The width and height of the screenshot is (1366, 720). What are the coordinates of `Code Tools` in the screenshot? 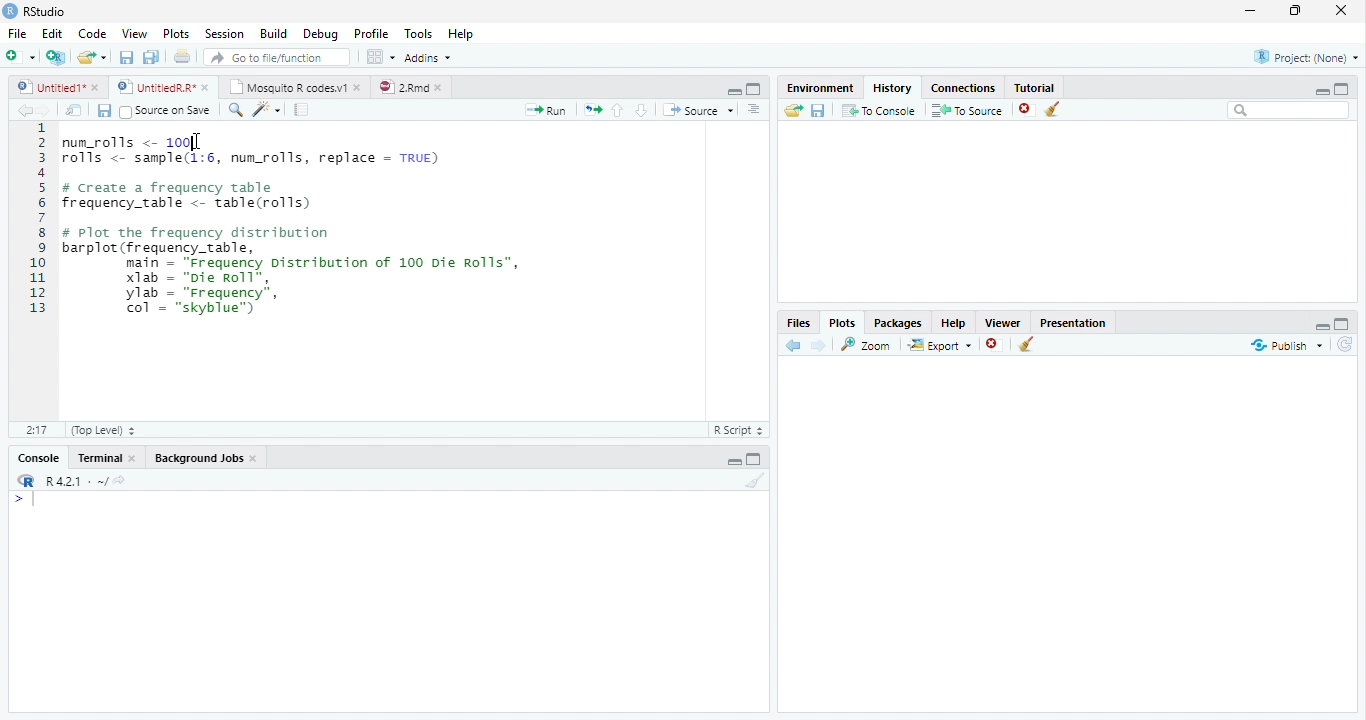 It's located at (265, 110).